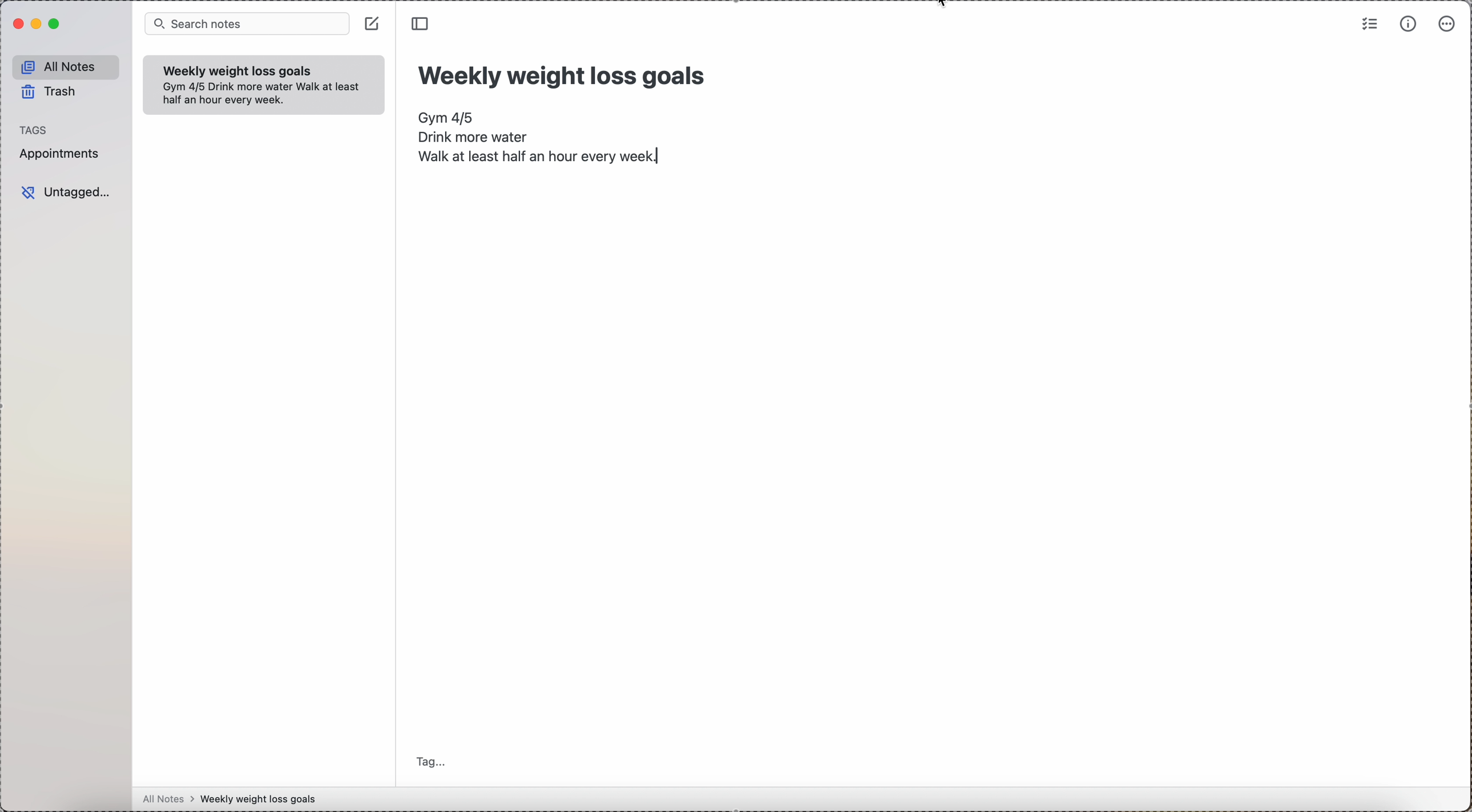  I want to click on untagged, so click(68, 191).